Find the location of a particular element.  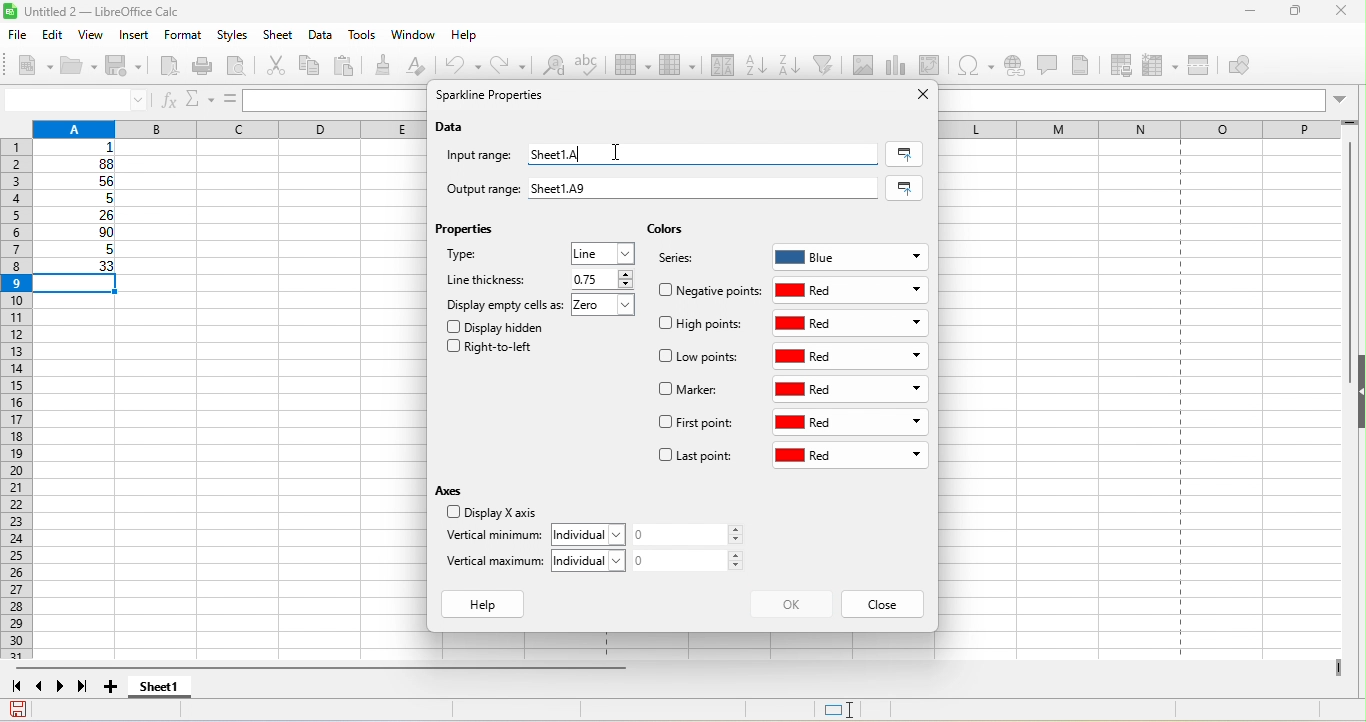

defined print area is located at coordinates (1125, 65).